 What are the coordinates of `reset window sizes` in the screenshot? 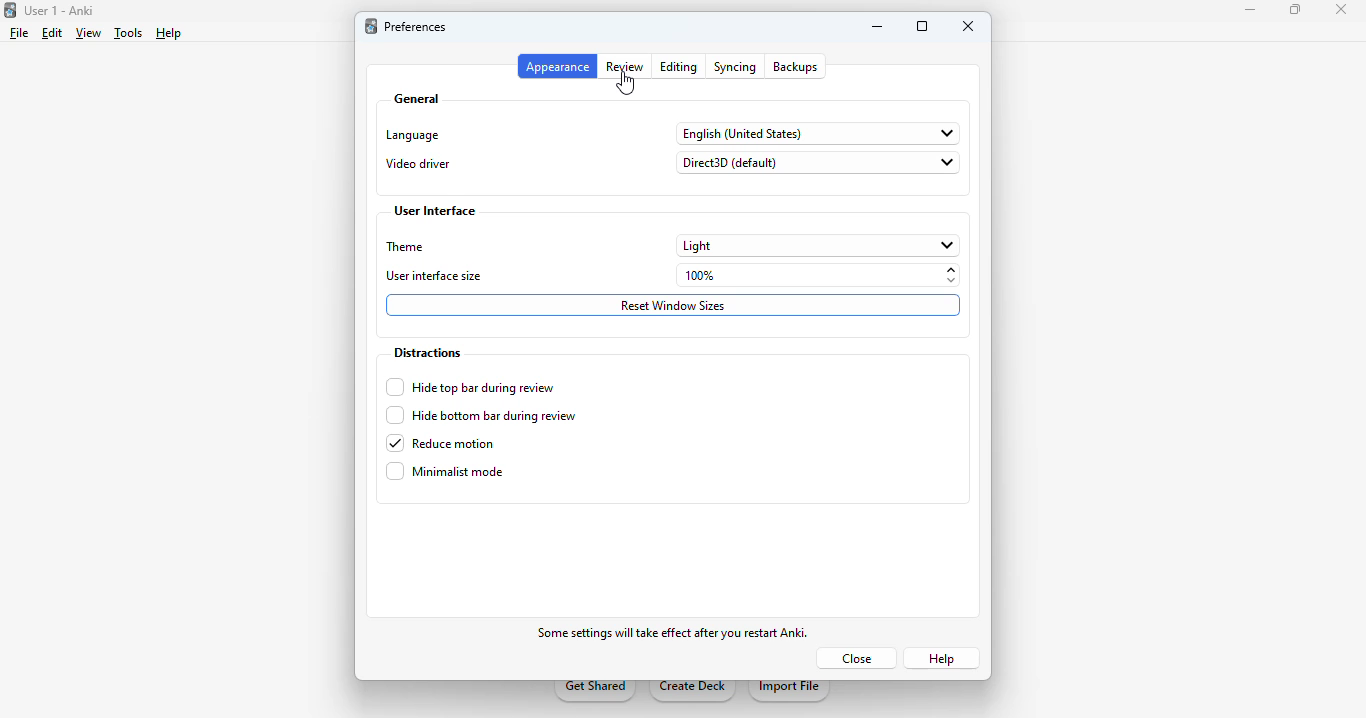 It's located at (673, 306).